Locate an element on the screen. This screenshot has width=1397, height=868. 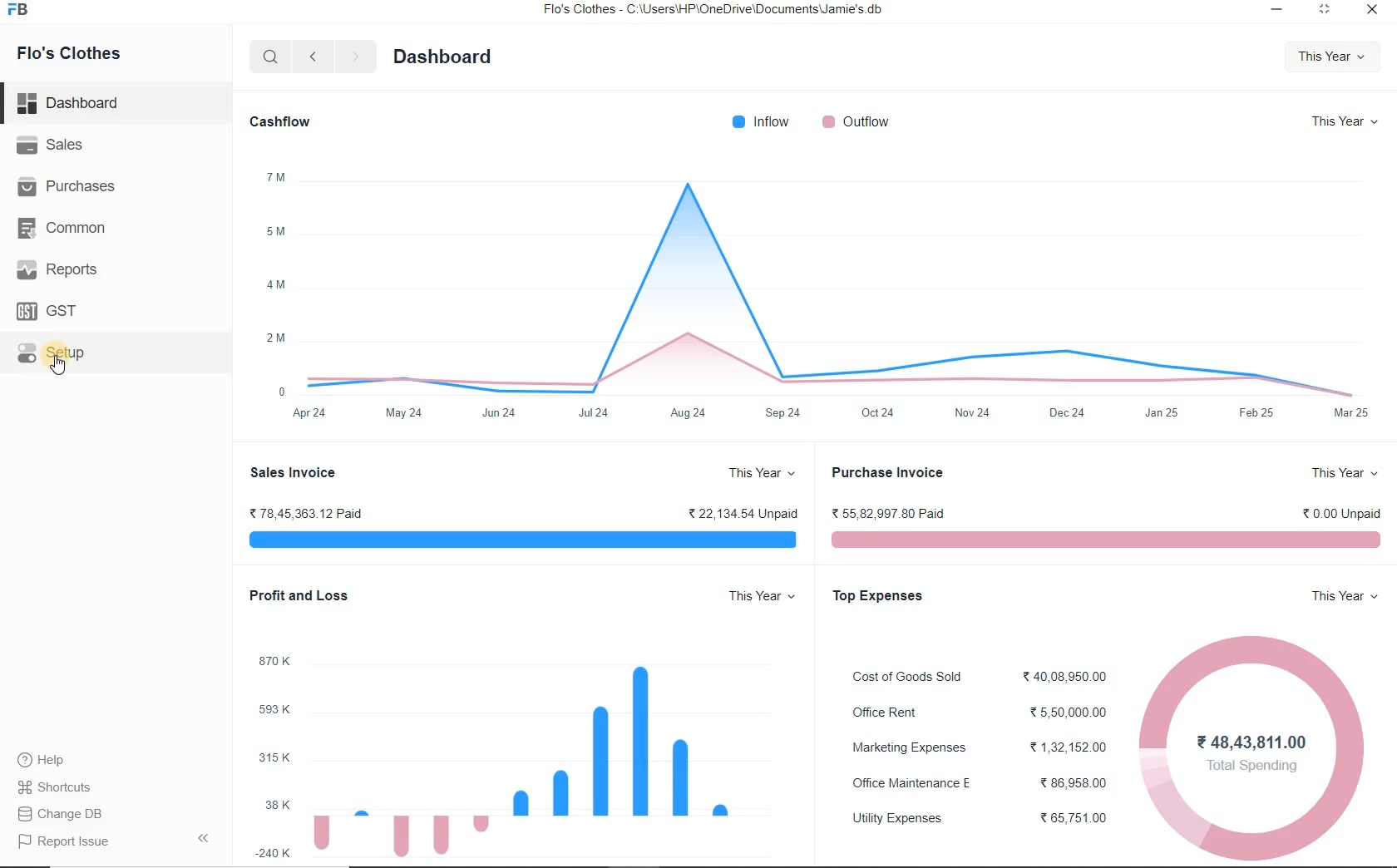
¥48,43,811.00
Total Spending is located at coordinates (1252, 755).